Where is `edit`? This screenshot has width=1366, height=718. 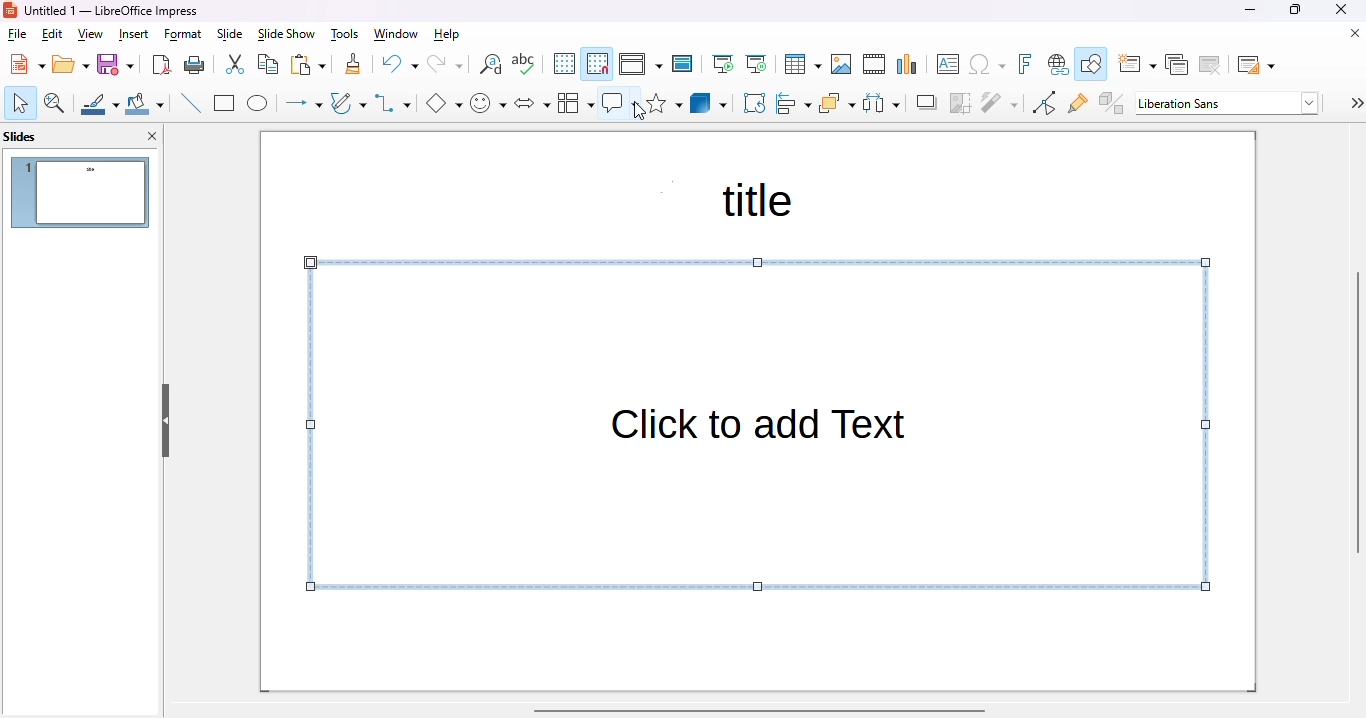
edit is located at coordinates (53, 34).